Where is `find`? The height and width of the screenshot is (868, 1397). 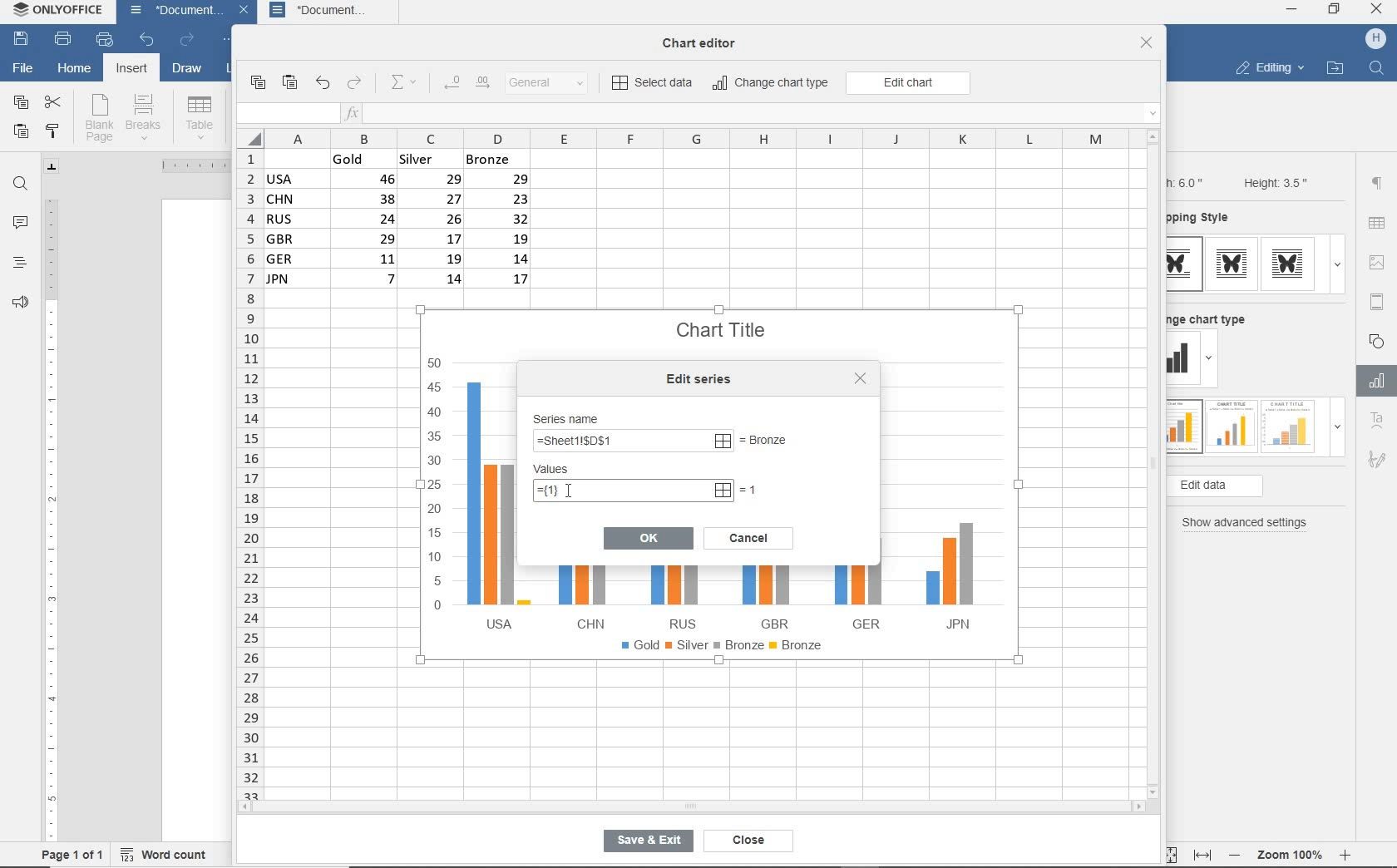
find is located at coordinates (22, 184).